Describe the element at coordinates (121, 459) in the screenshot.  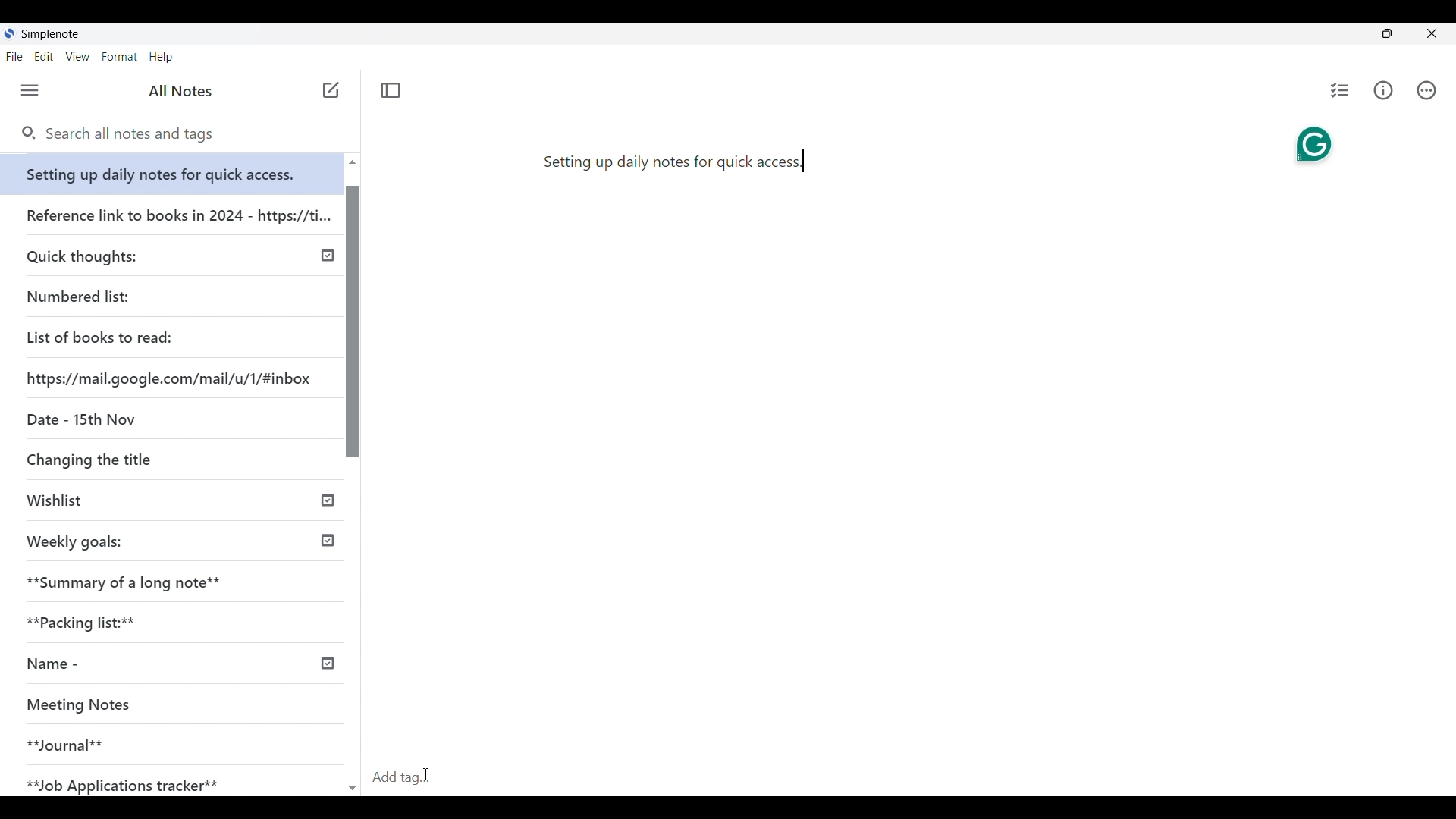
I see `Changing the title` at that location.